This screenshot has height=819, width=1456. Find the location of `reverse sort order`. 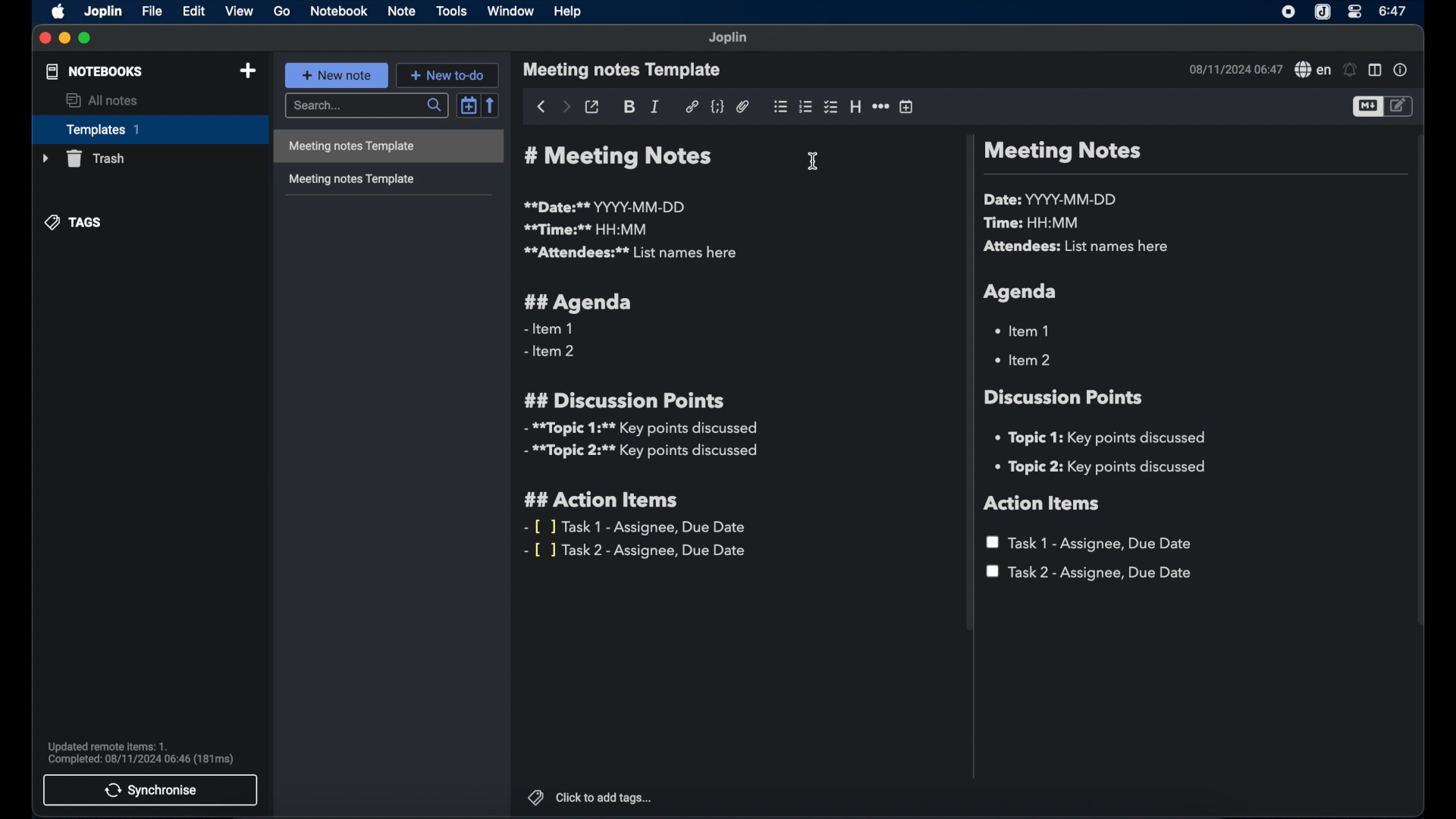

reverse sort order is located at coordinates (492, 105).